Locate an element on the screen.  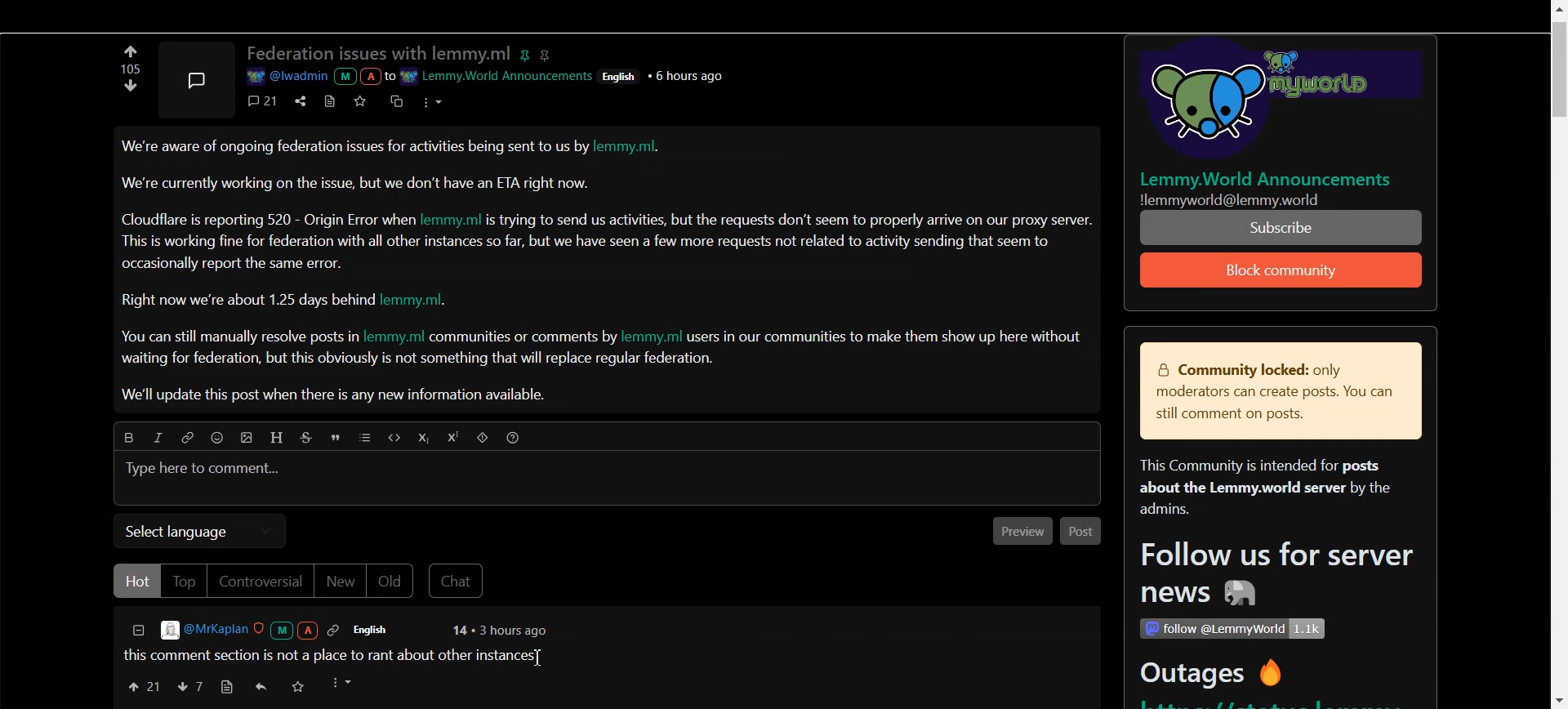
 is located at coordinates (622, 75).